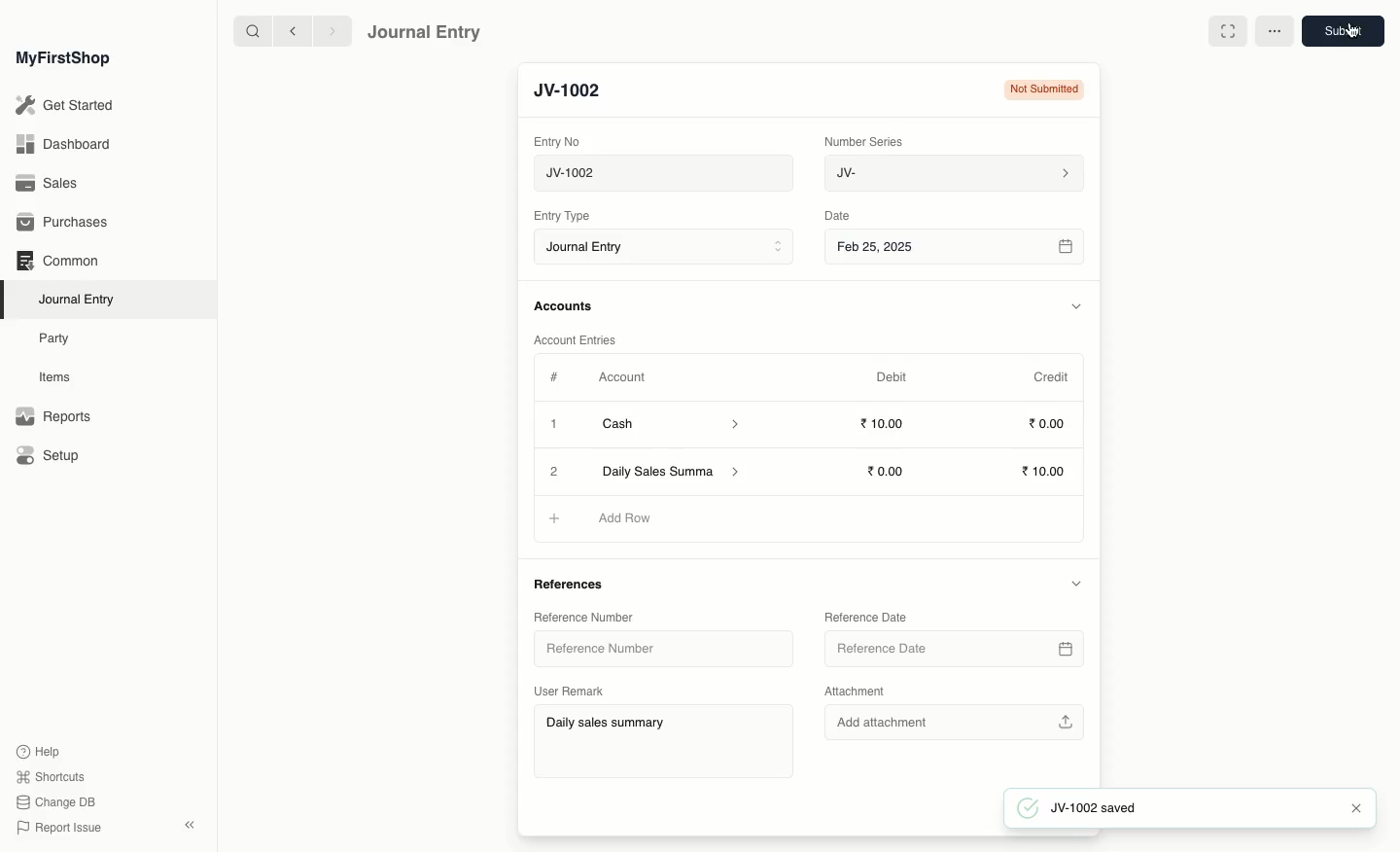  What do you see at coordinates (952, 173) in the screenshot?
I see `JV-` at bounding box center [952, 173].